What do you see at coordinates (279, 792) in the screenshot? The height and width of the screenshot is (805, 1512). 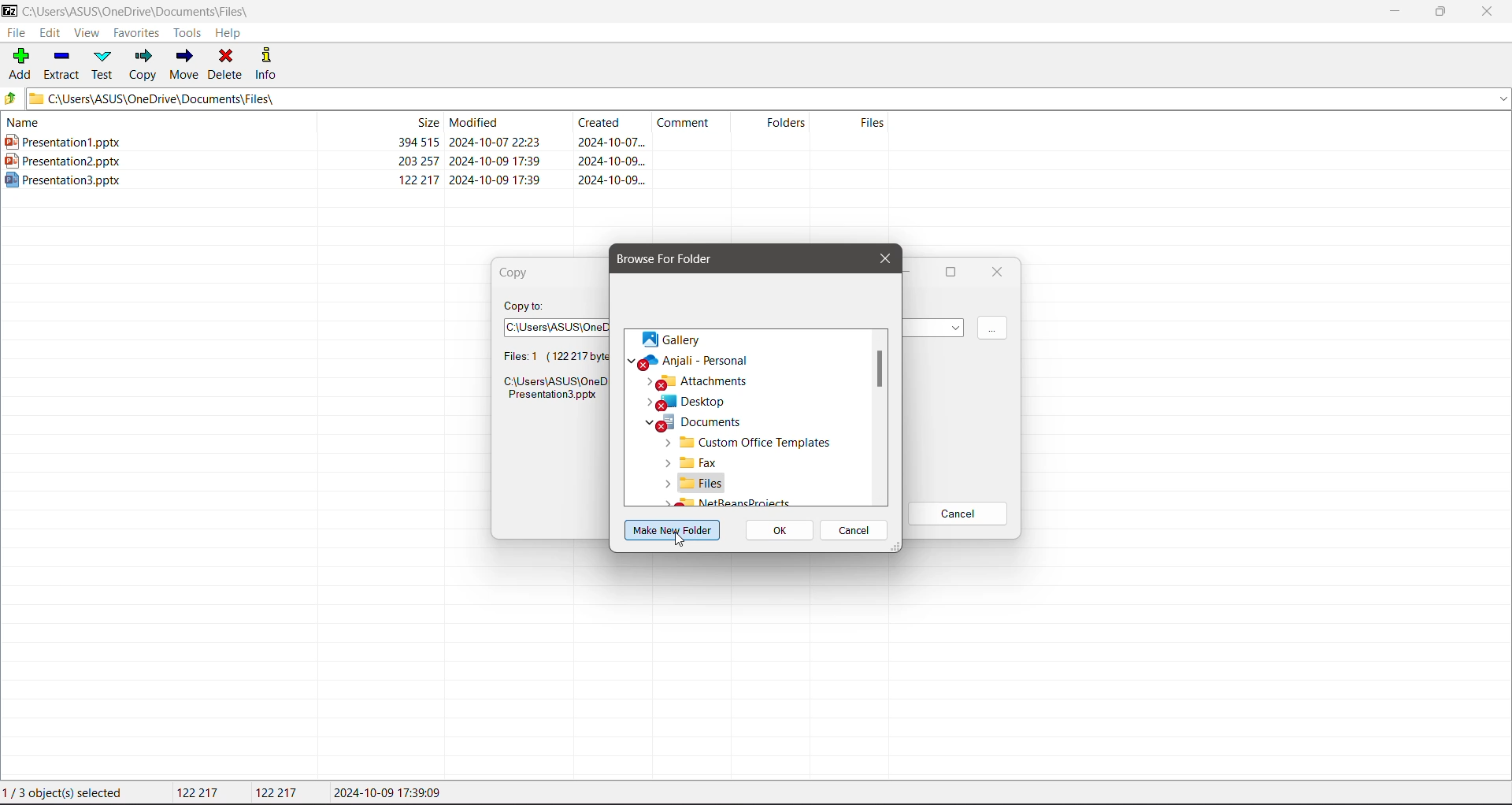 I see `Size of the last file selected` at bounding box center [279, 792].